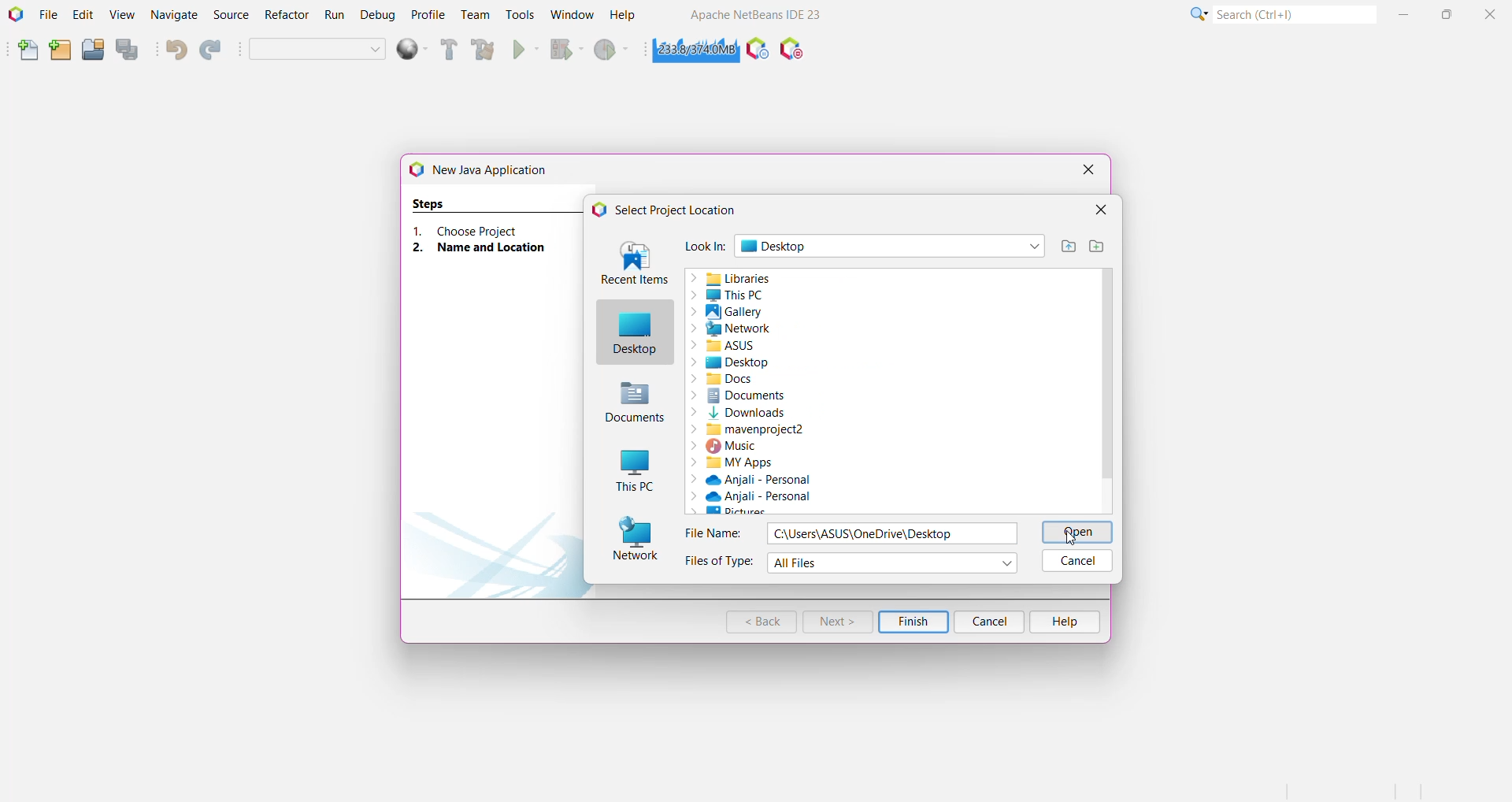 The width and height of the screenshot is (1512, 802). What do you see at coordinates (569, 16) in the screenshot?
I see `Window` at bounding box center [569, 16].